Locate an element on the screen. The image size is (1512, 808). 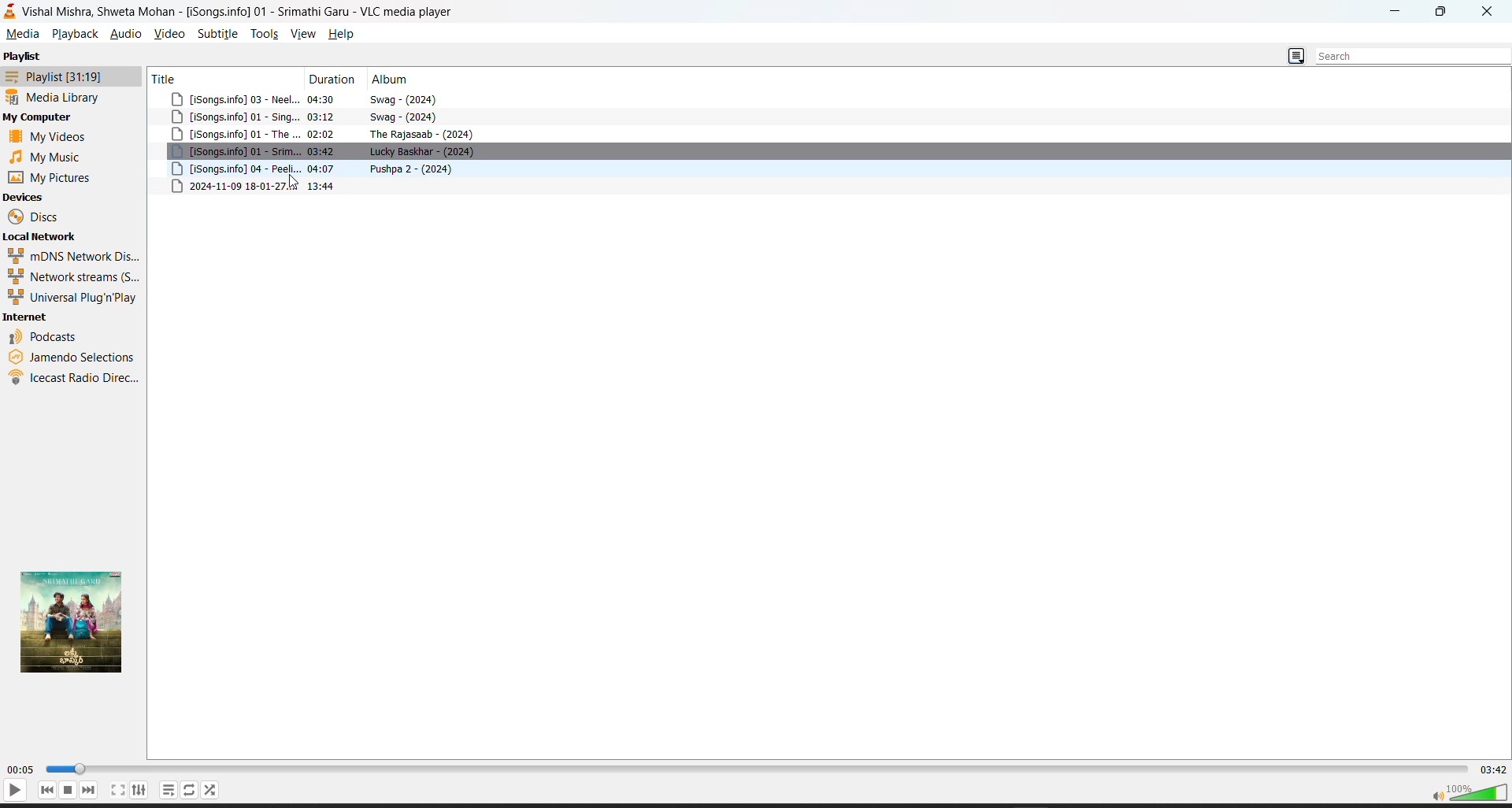
media library is located at coordinates (53, 96).